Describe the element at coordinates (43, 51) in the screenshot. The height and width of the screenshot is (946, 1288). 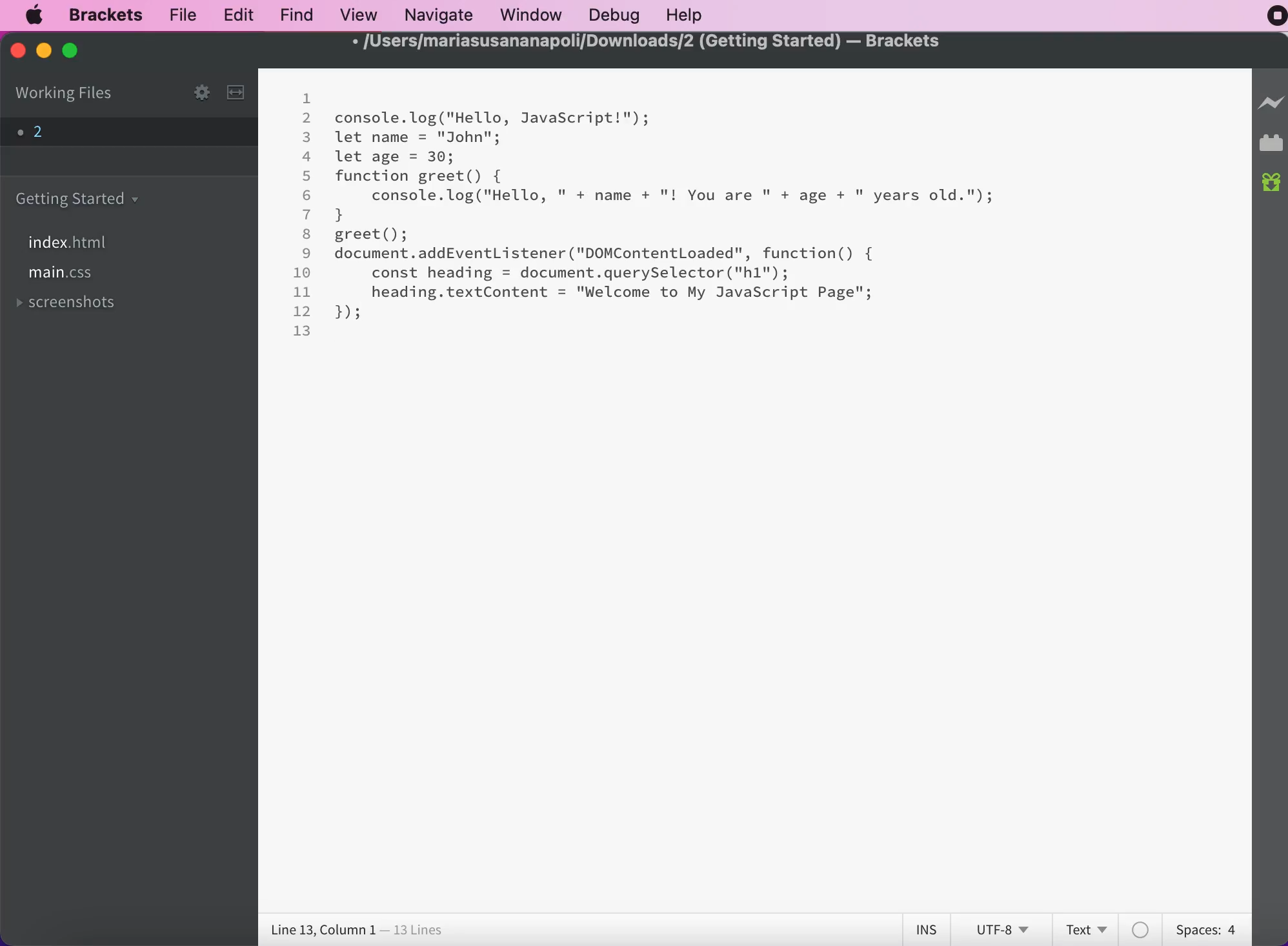
I see `minimize` at that location.